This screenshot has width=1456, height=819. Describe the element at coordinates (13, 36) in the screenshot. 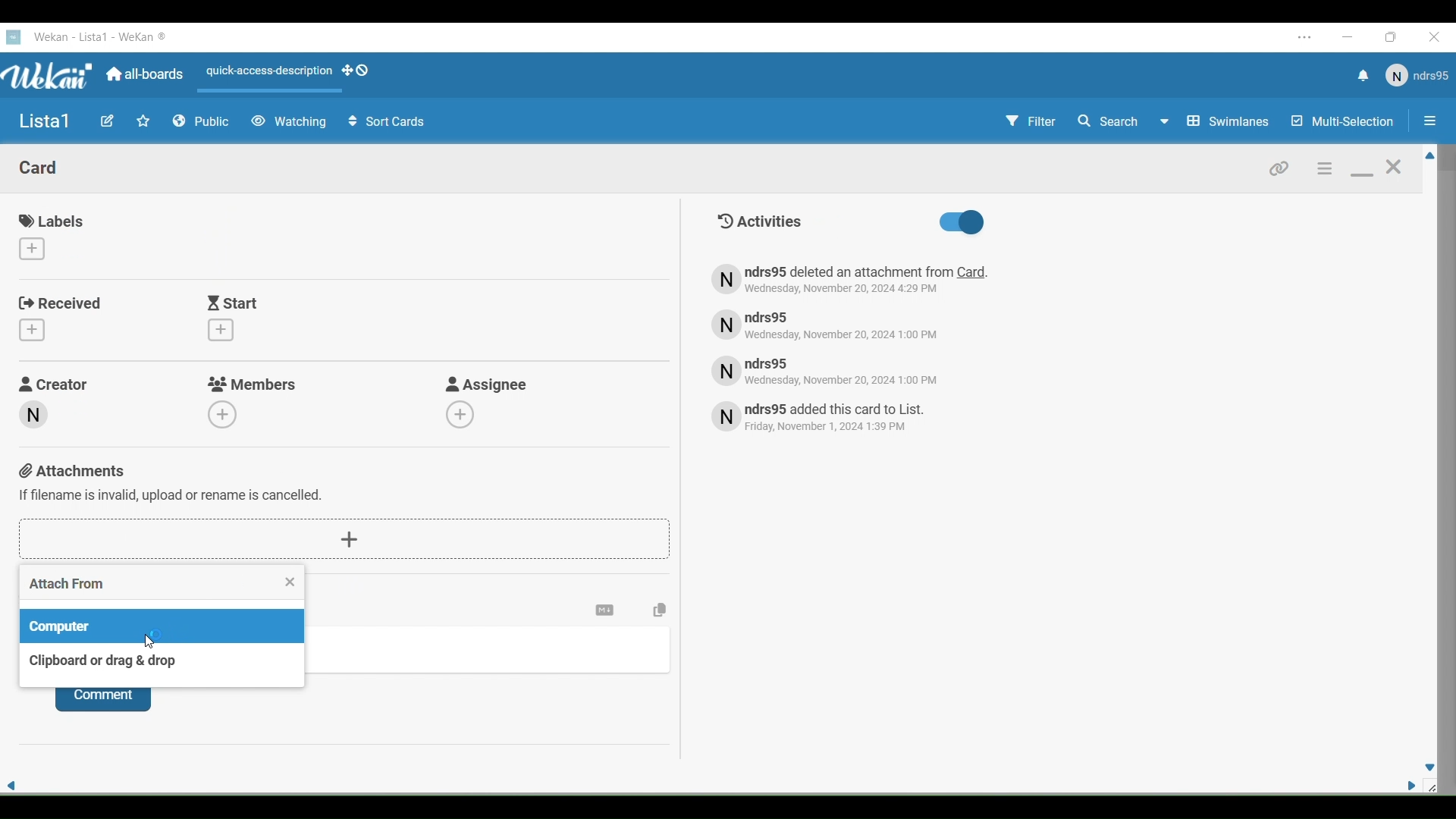

I see `Wekan logo` at that location.